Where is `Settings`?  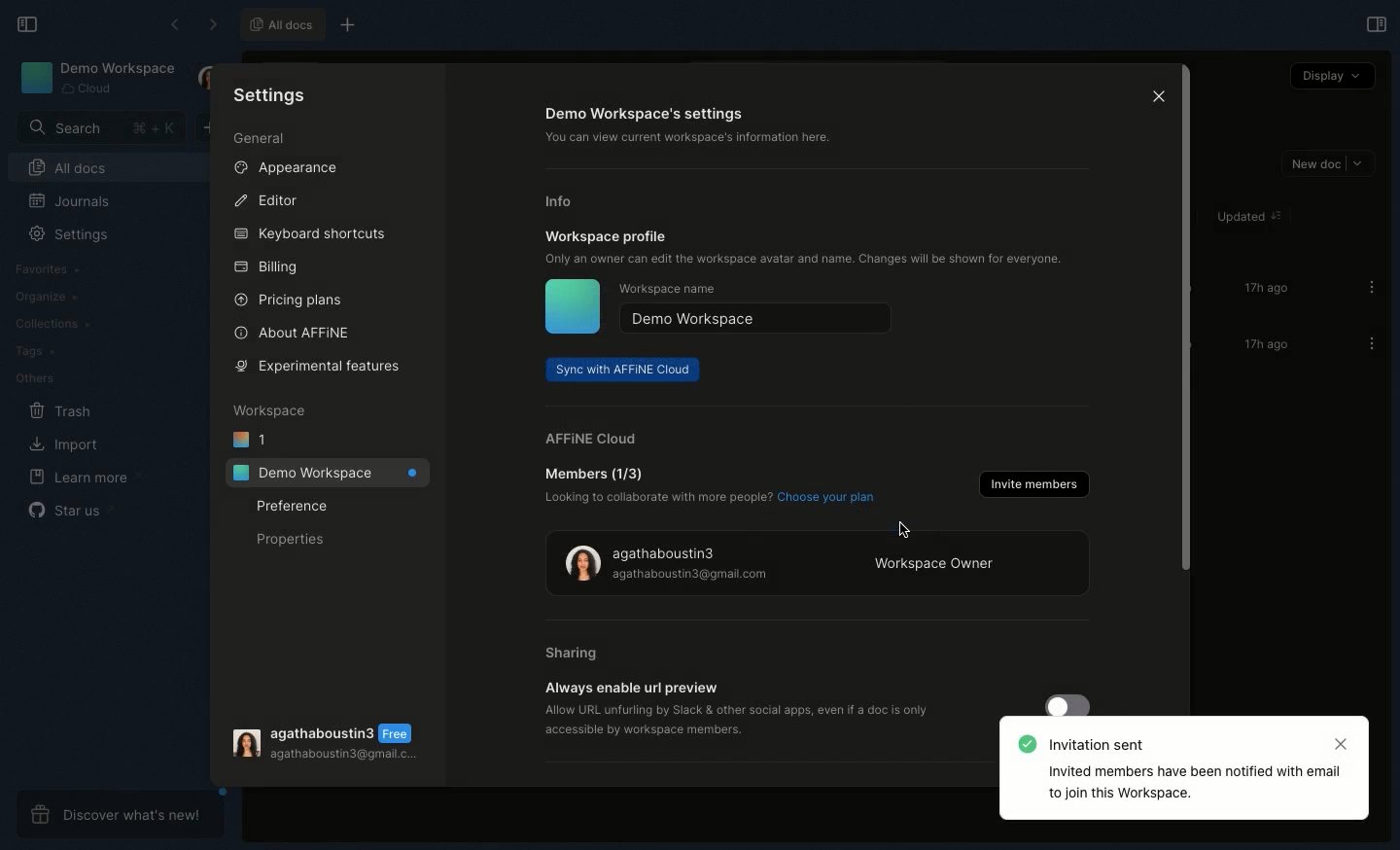
Settings is located at coordinates (278, 98).